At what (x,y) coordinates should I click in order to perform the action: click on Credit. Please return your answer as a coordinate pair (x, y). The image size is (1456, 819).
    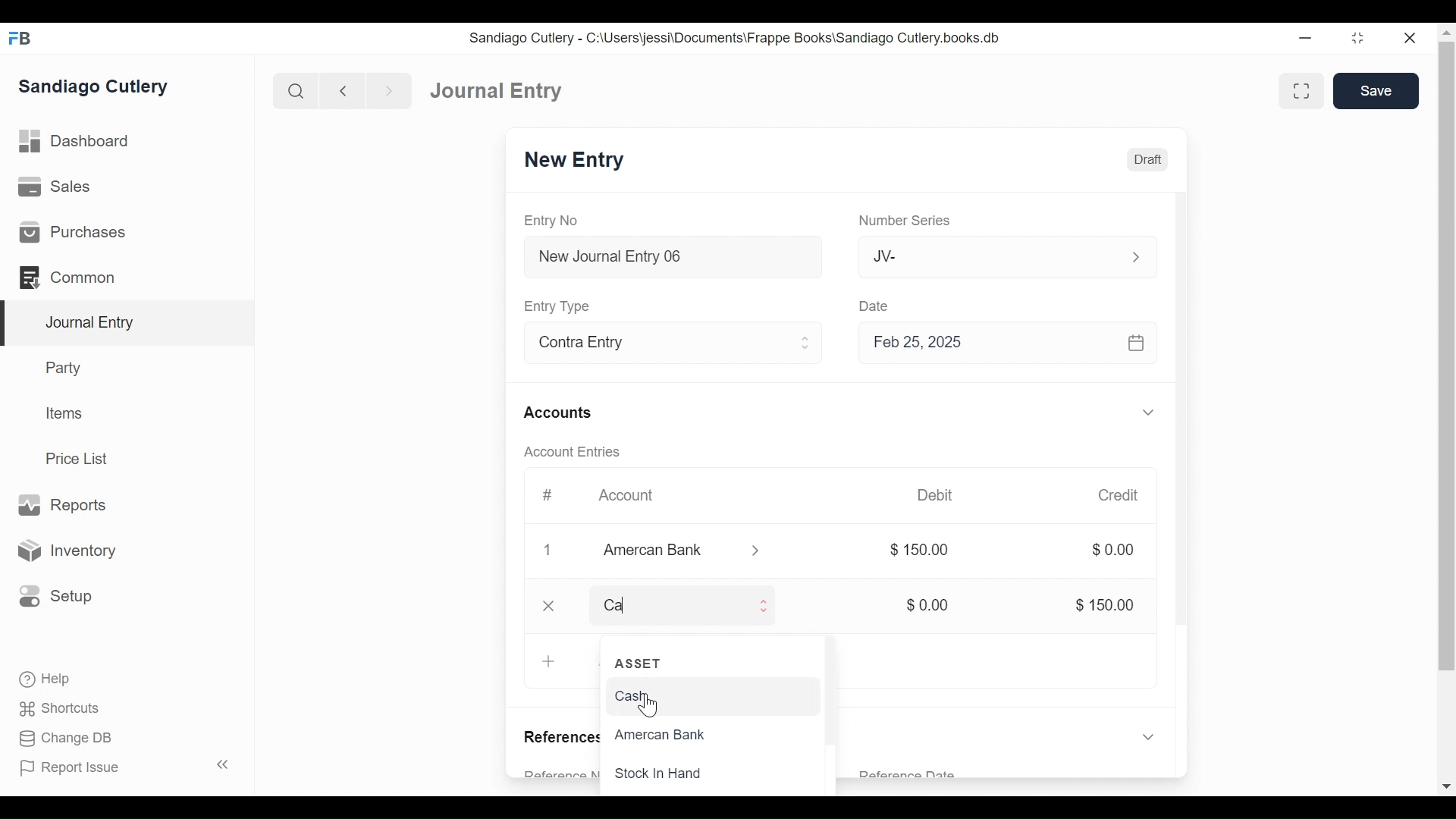
    Looking at the image, I should click on (1116, 494).